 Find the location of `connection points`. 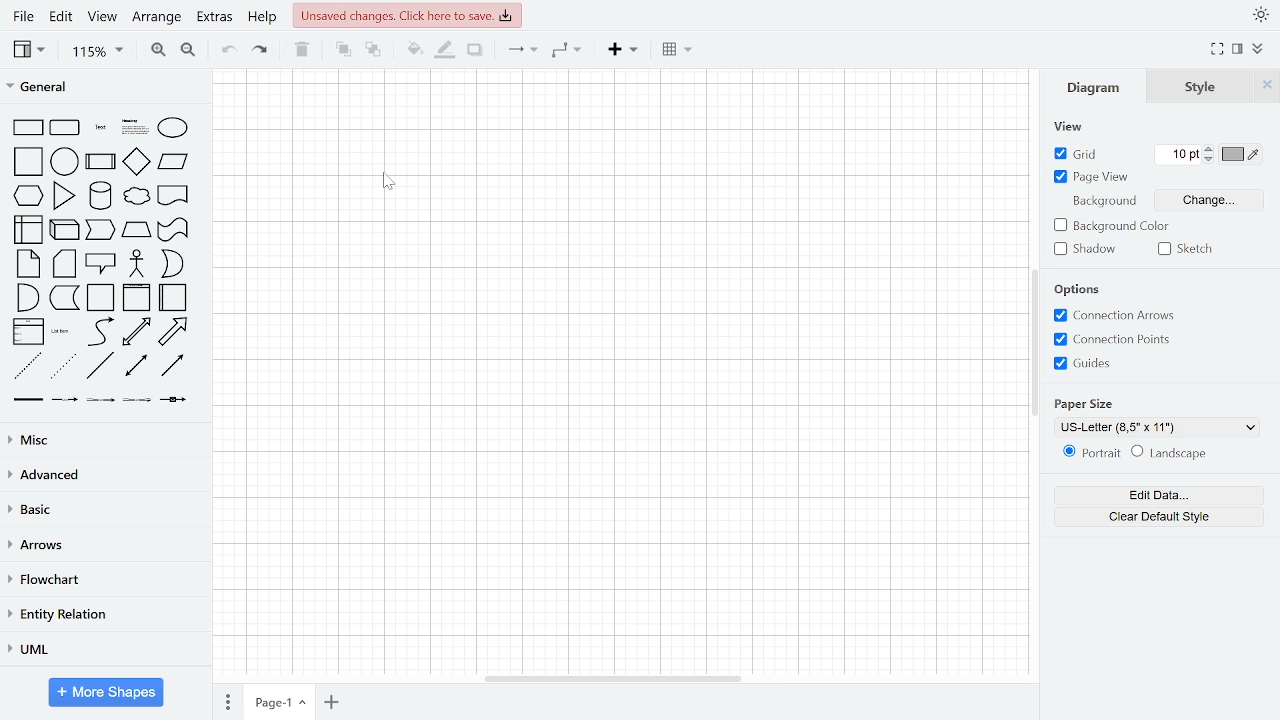

connection points is located at coordinates (1113, 338).